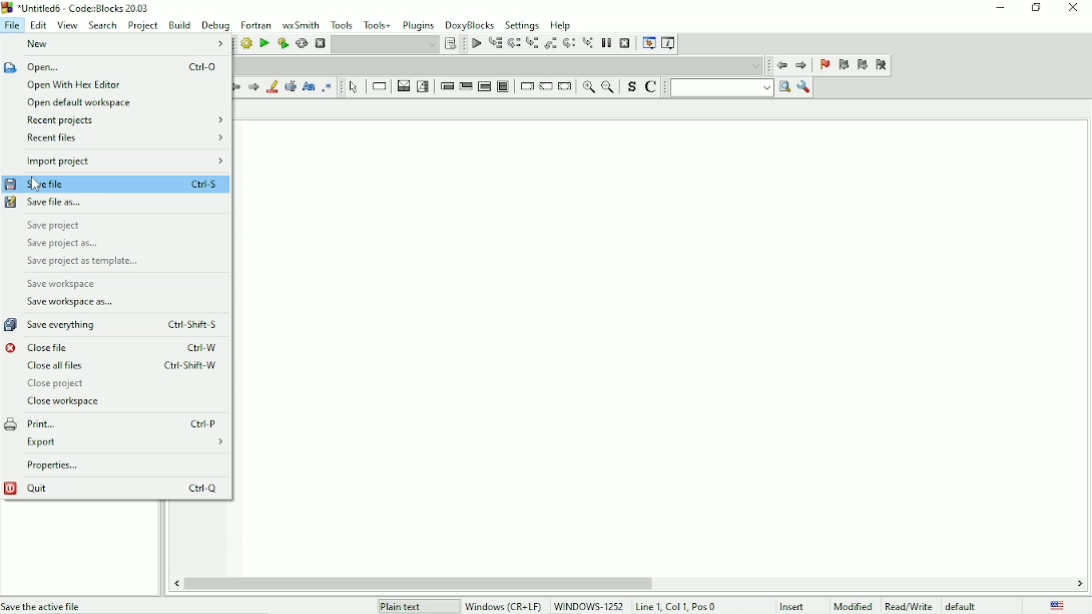 This screenshot has height=614, width=1092. Describe the element at coordinates (62, 384) in the screenshot. I see `Close project` at that location.